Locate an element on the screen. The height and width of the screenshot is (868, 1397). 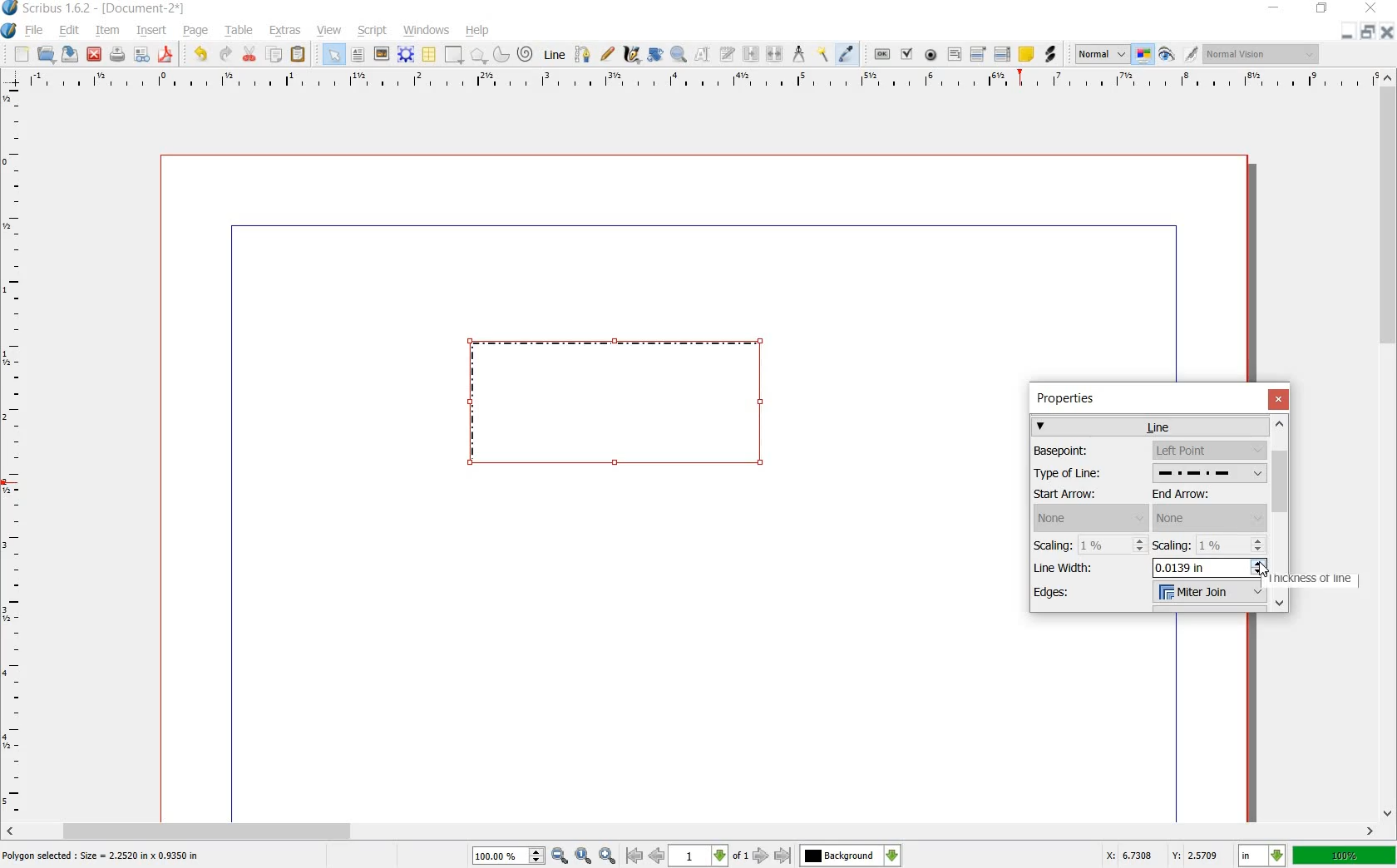
TABLE is located at coordinates (240, 32).